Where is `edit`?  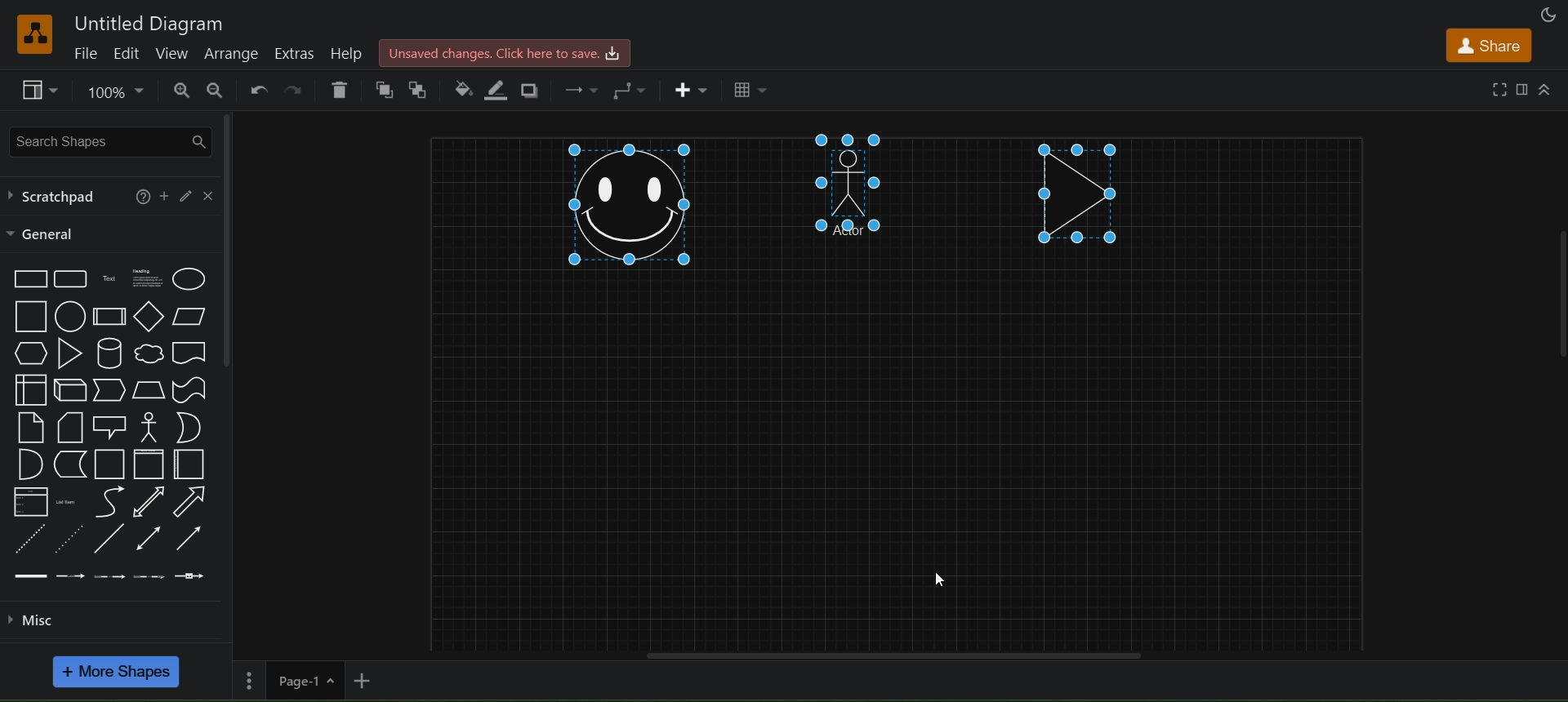
edit is located at coordinates (126, 54).